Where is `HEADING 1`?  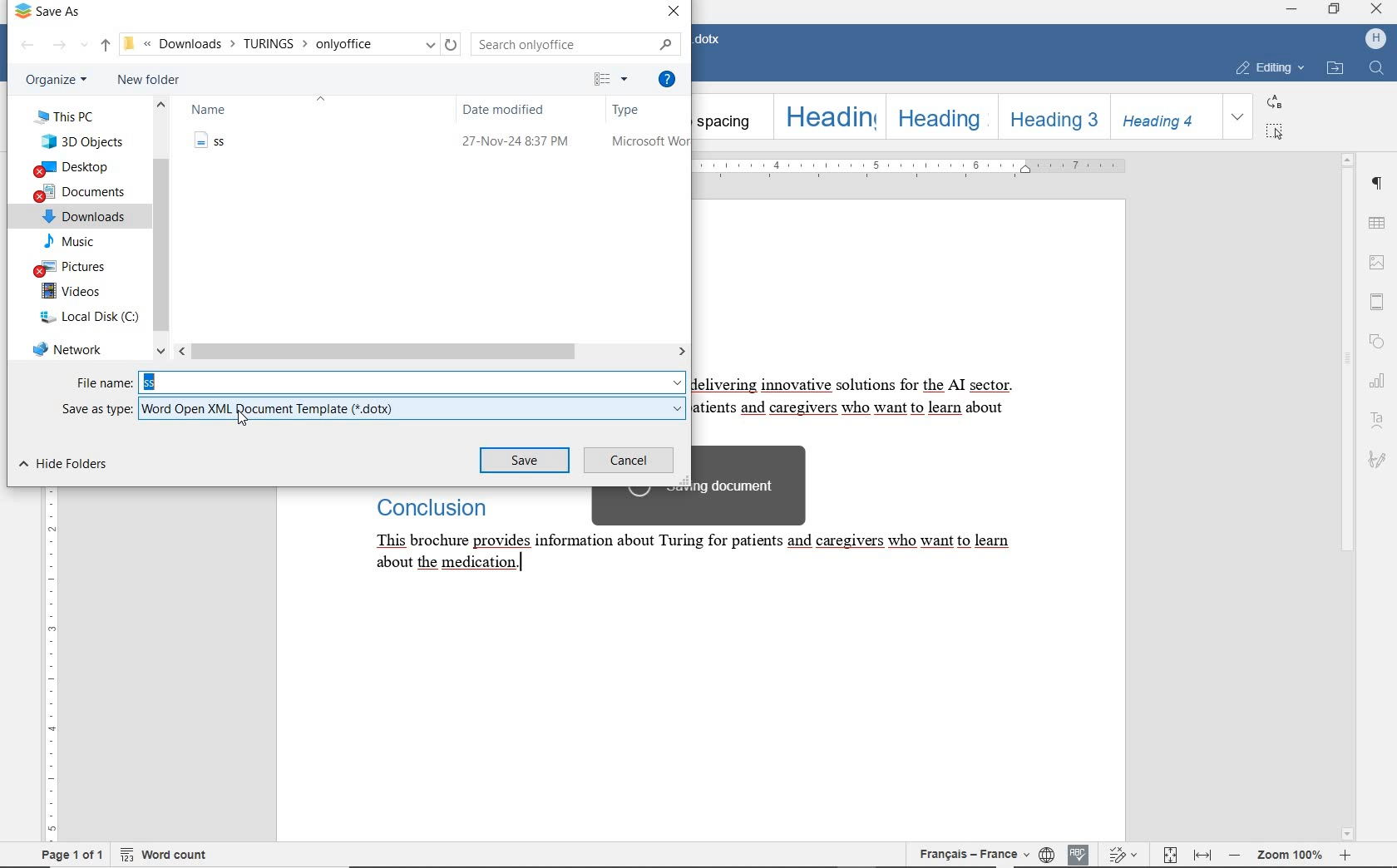 HEADING 1 is located at coordinates (828, 116).